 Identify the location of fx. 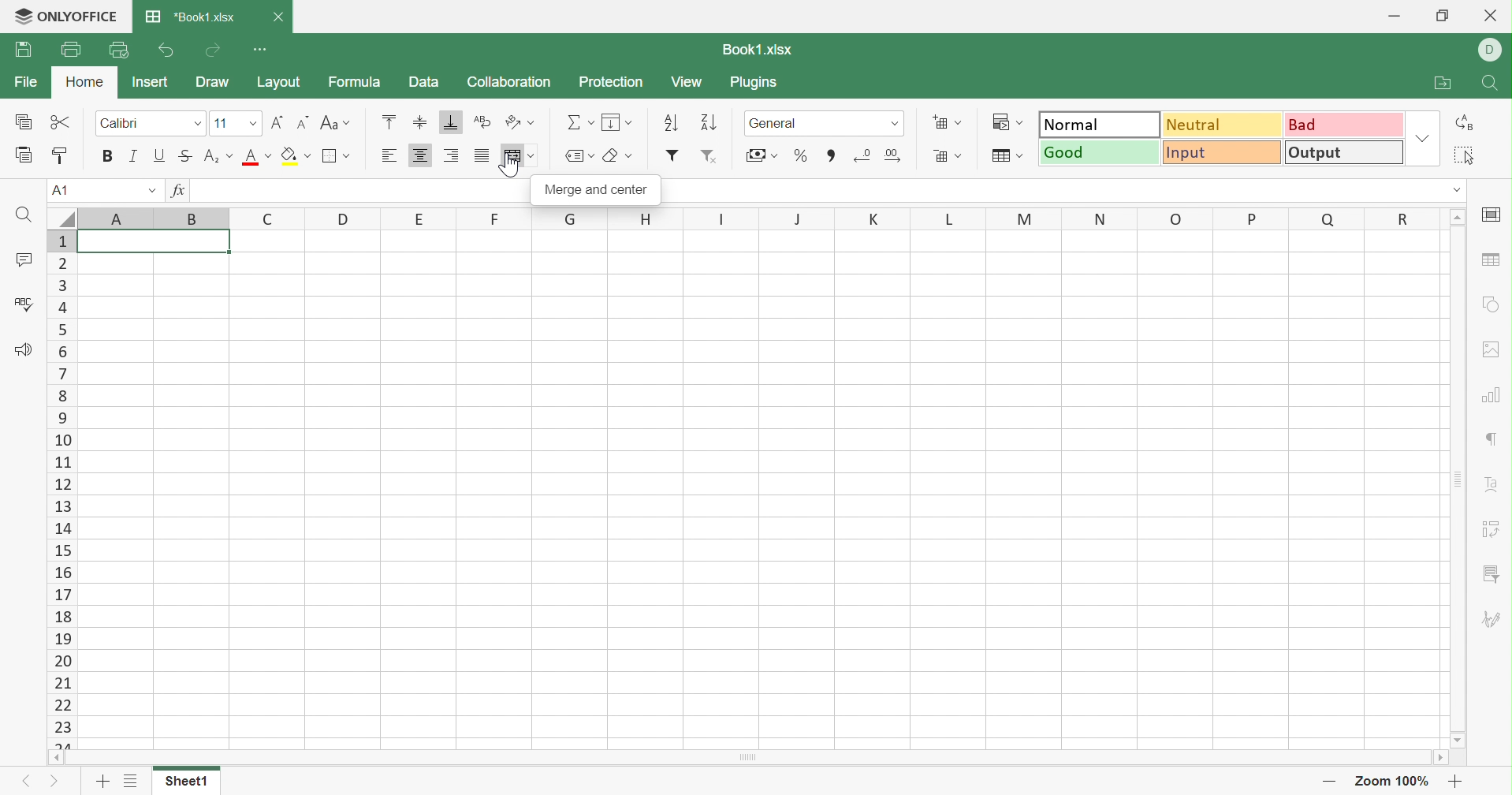
(183, 189).